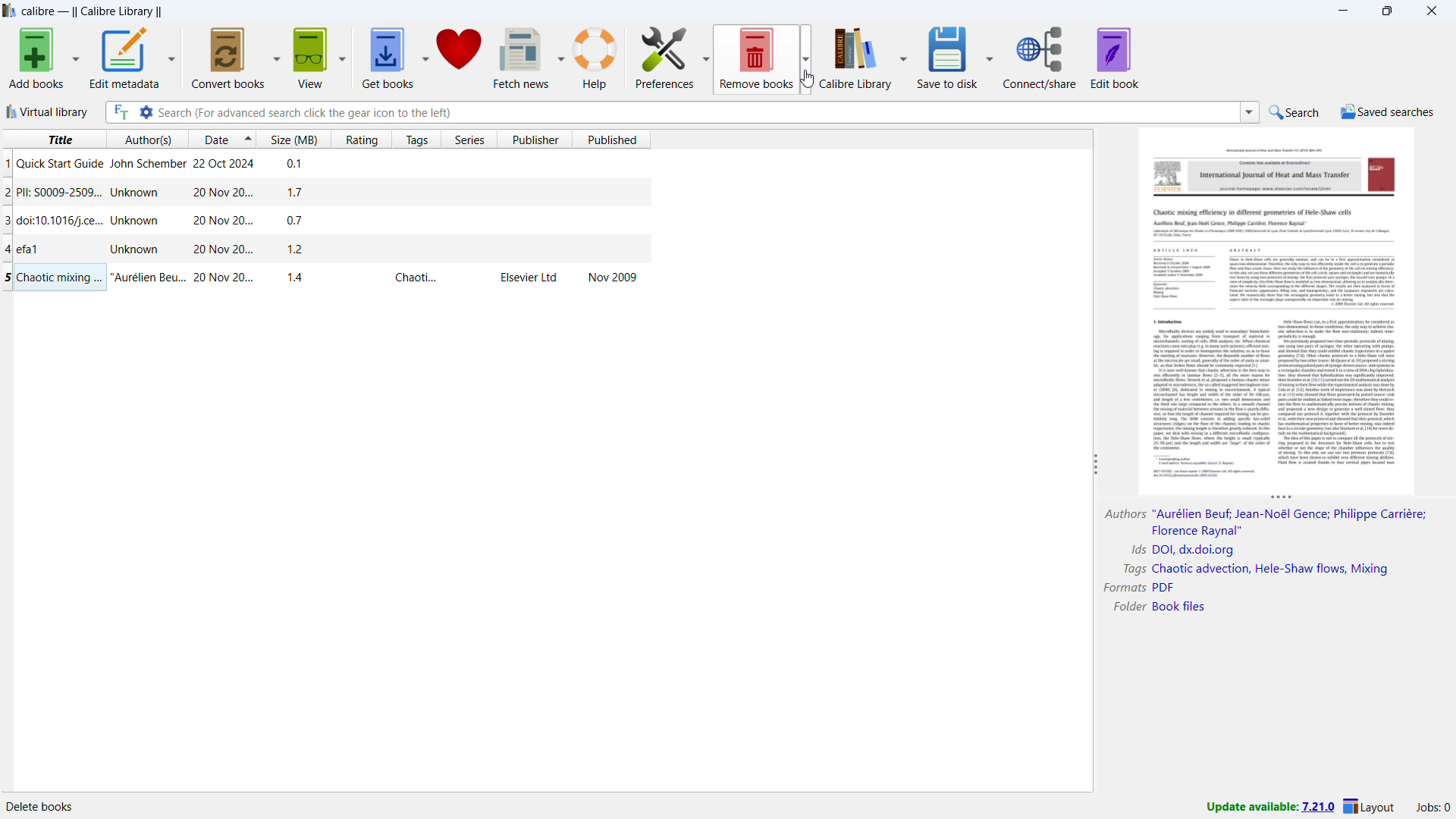  I want to click on preferences, so click(665, 58).